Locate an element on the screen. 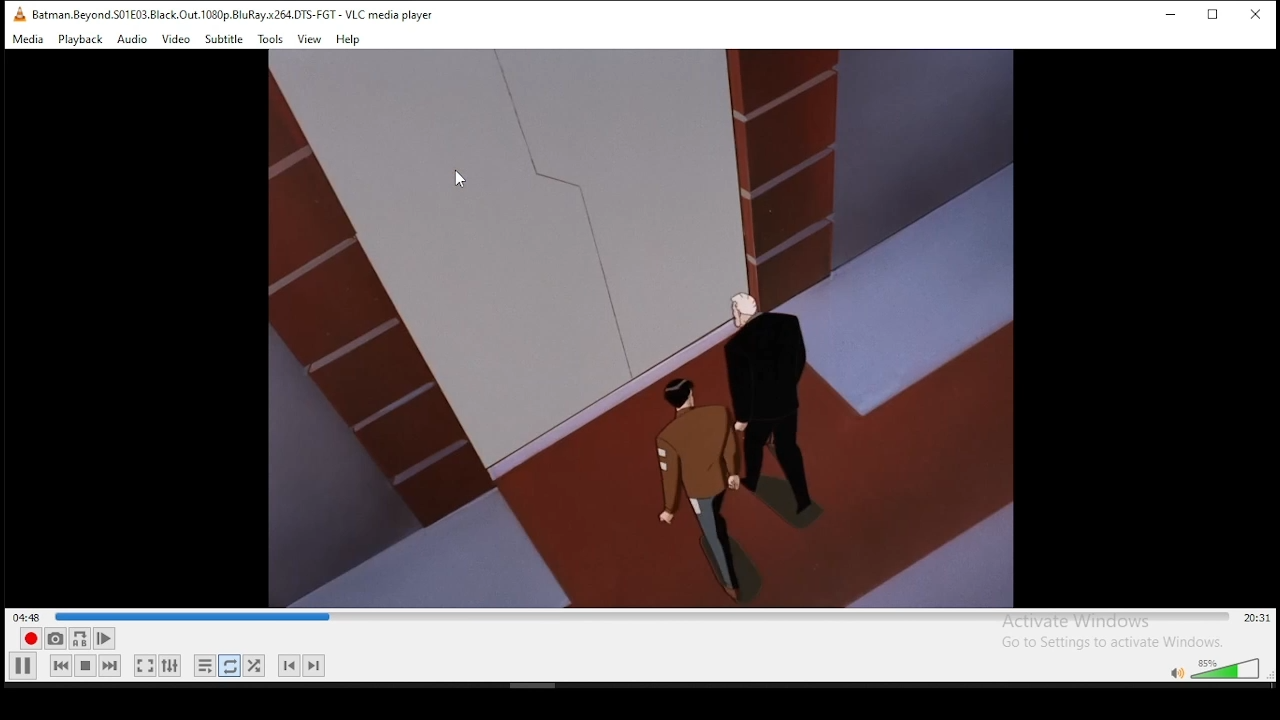 This screenshot has height=720, width=1280. volumne control is located at coordinates (1214, 669).